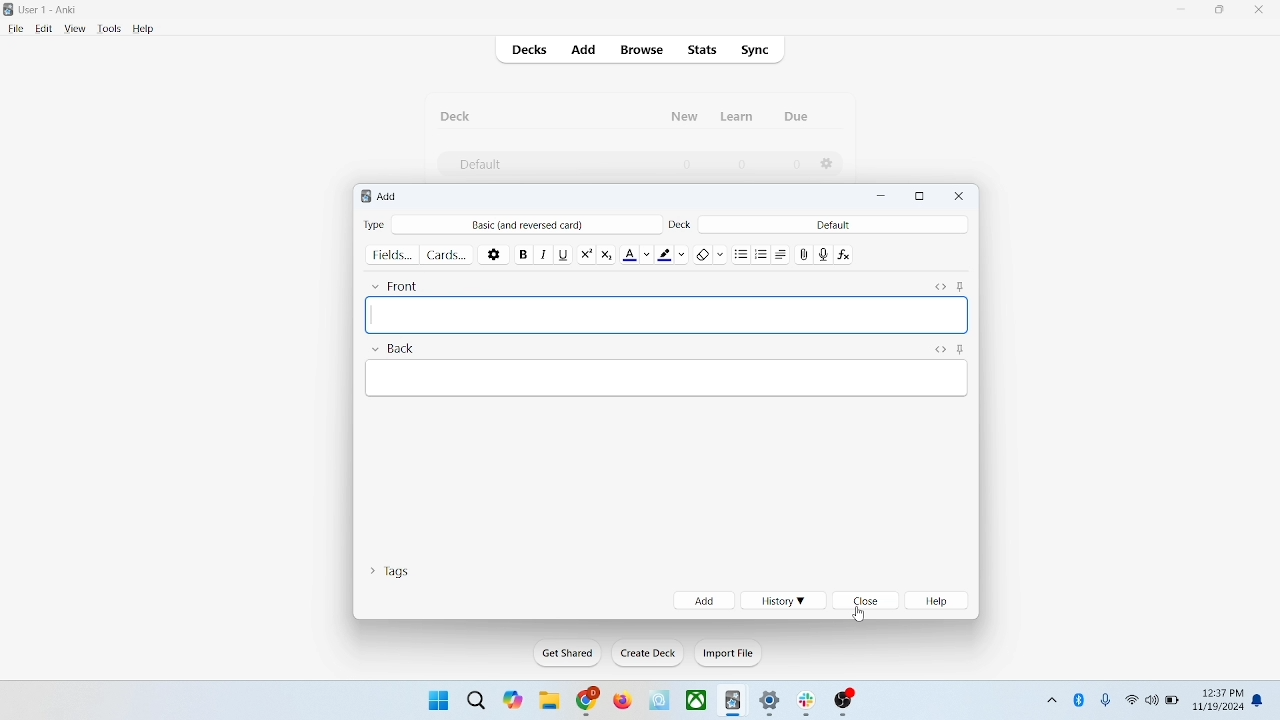 The image size is (1280, 720). What do you see at coordinates (860, 615) in the screenshot?
I see `cursor` at bounding box center [860, 615].